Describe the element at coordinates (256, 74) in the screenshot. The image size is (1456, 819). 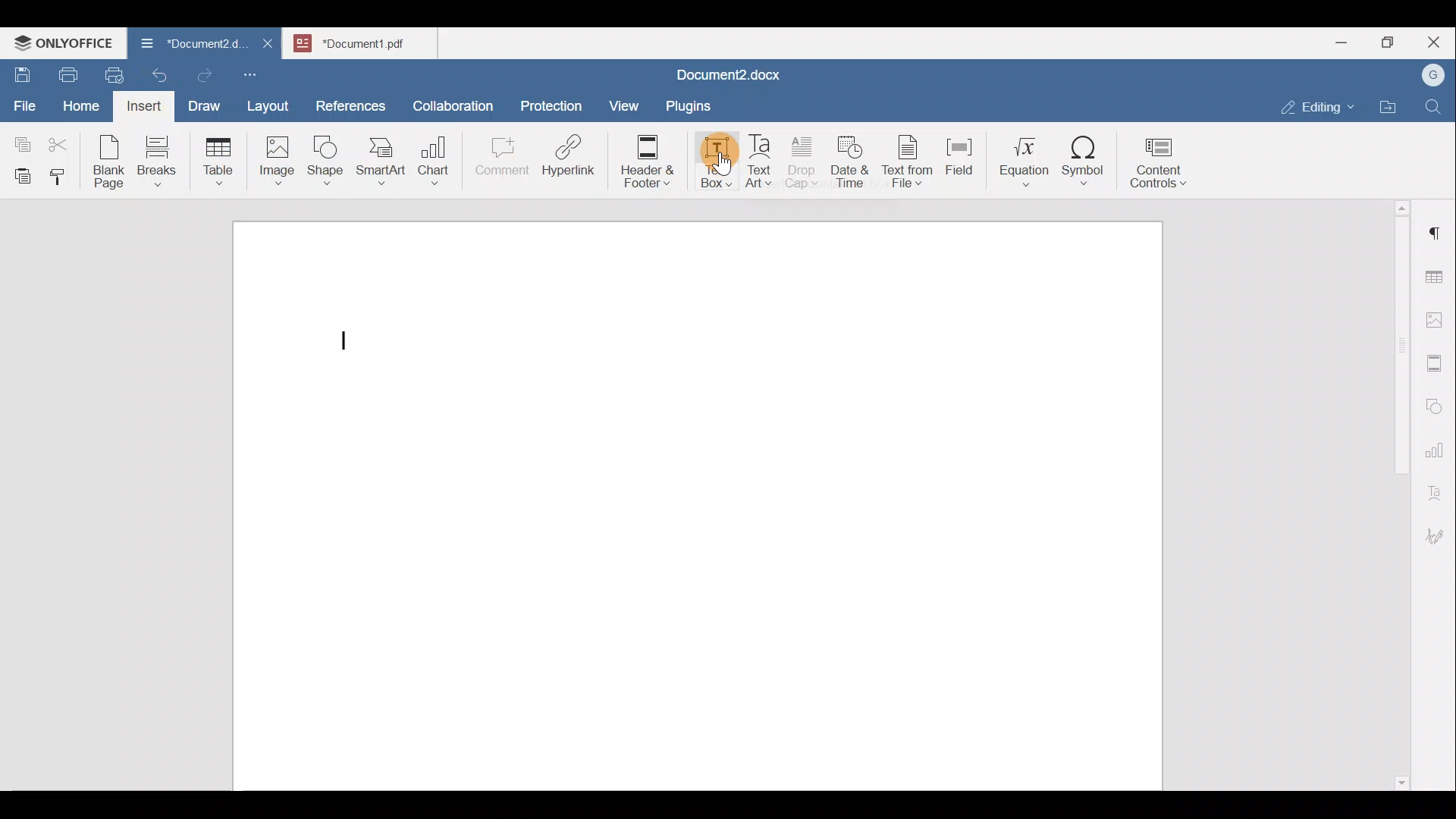
I see `Customize quick access toolbar` at that location.